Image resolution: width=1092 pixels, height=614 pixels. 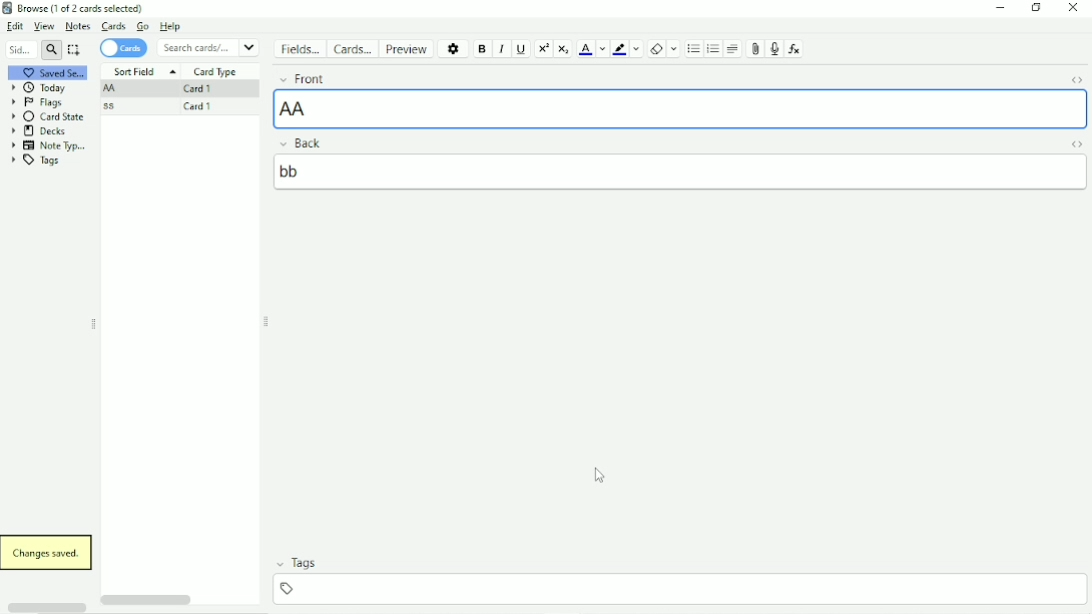 I want to click on Back, so click(x=313, y=144).